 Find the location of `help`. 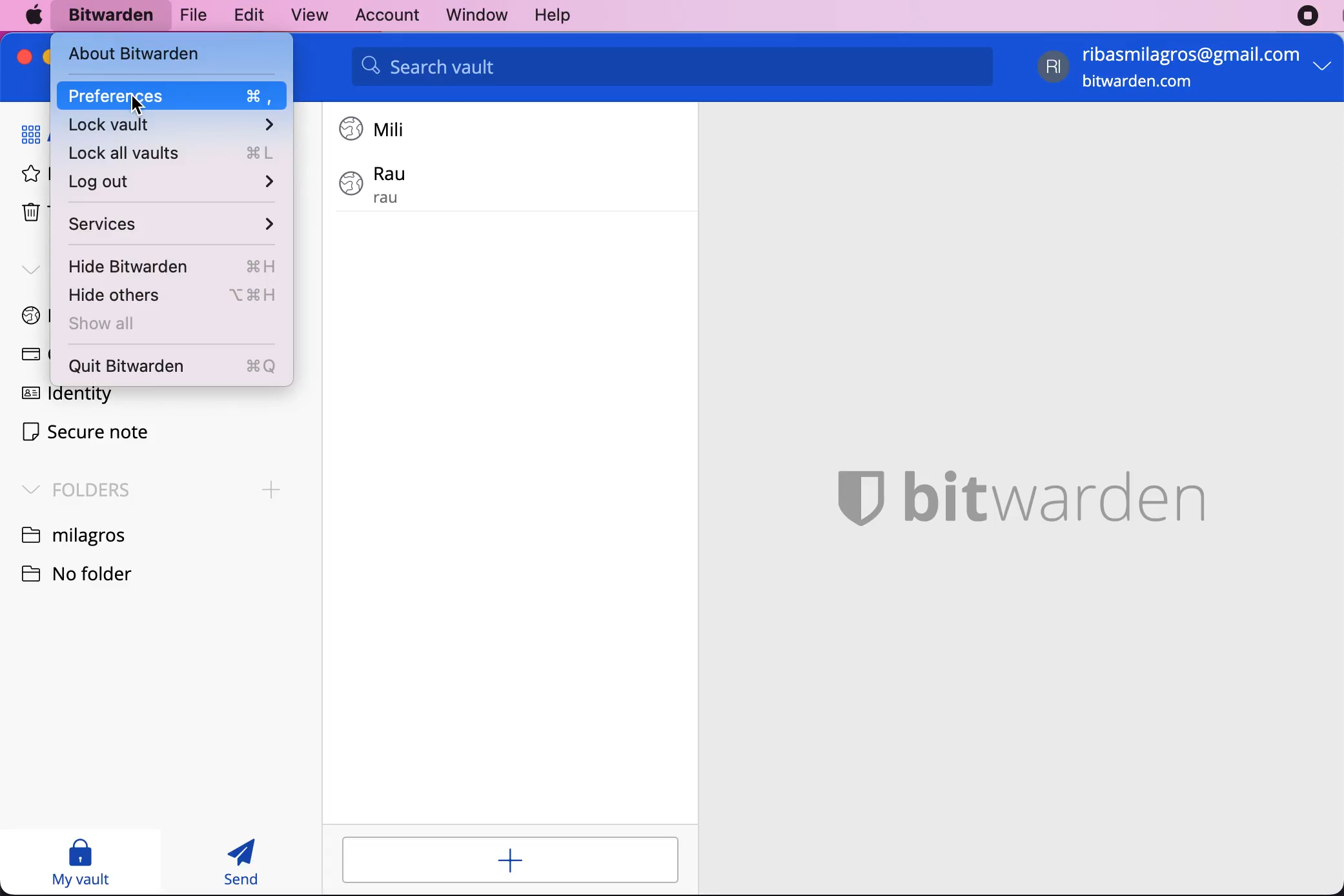

help is located at coordinates (552, 16).